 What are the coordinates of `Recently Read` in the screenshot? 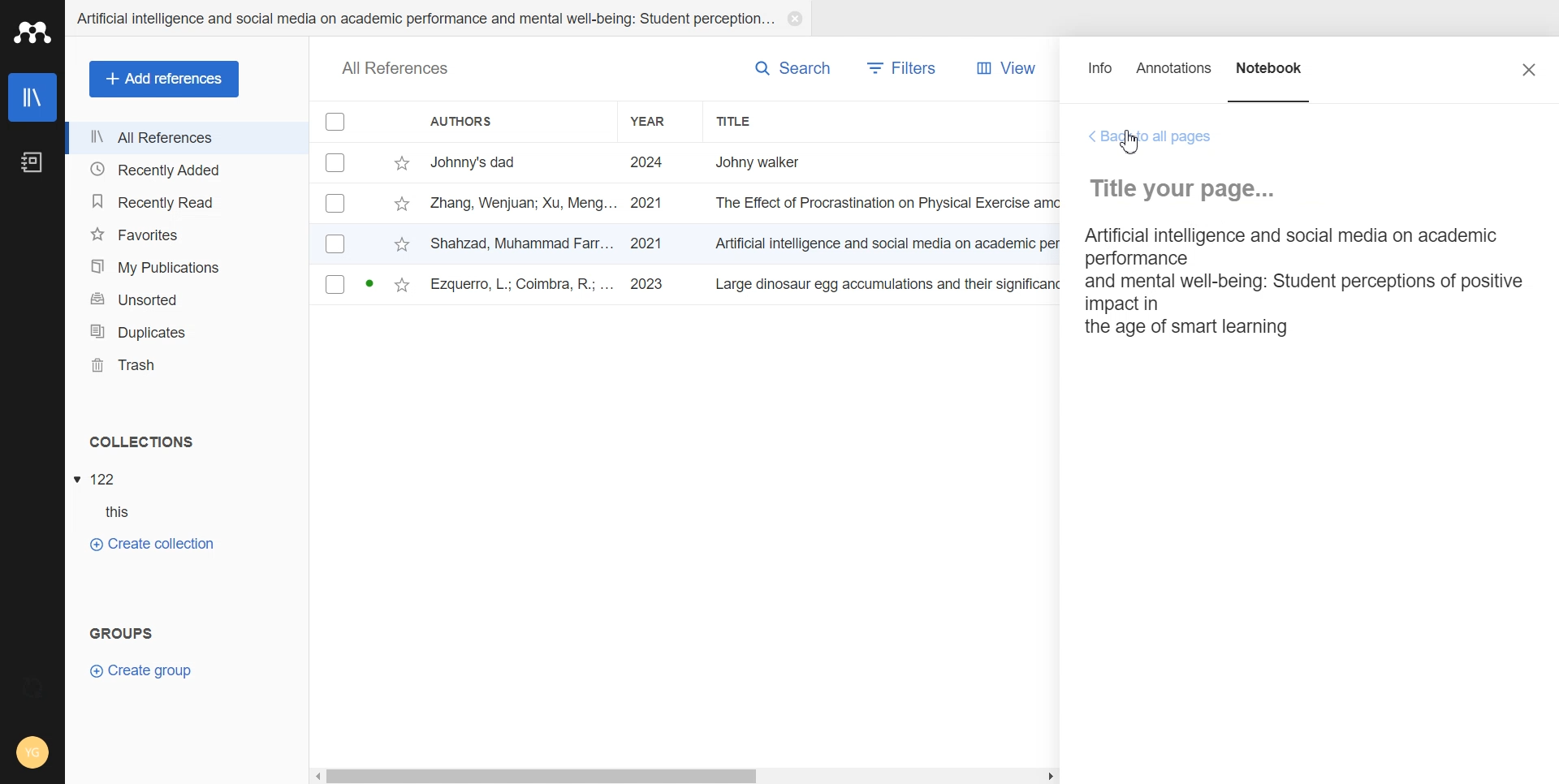 It's located at (185, 203).